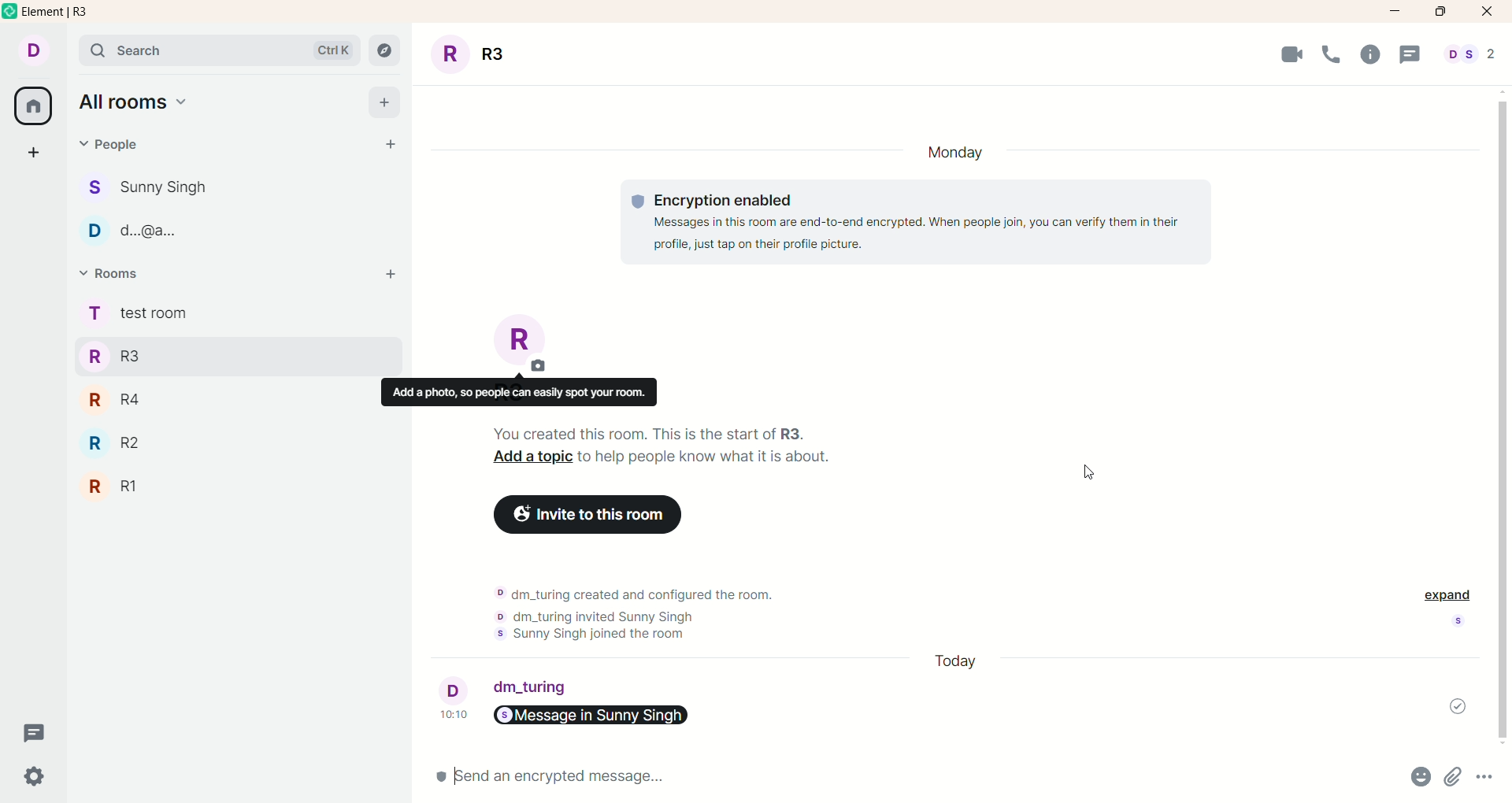  What do you see at coordinates (521, 392) in the screenshot?
I see `` at bounding box center [521, 392].